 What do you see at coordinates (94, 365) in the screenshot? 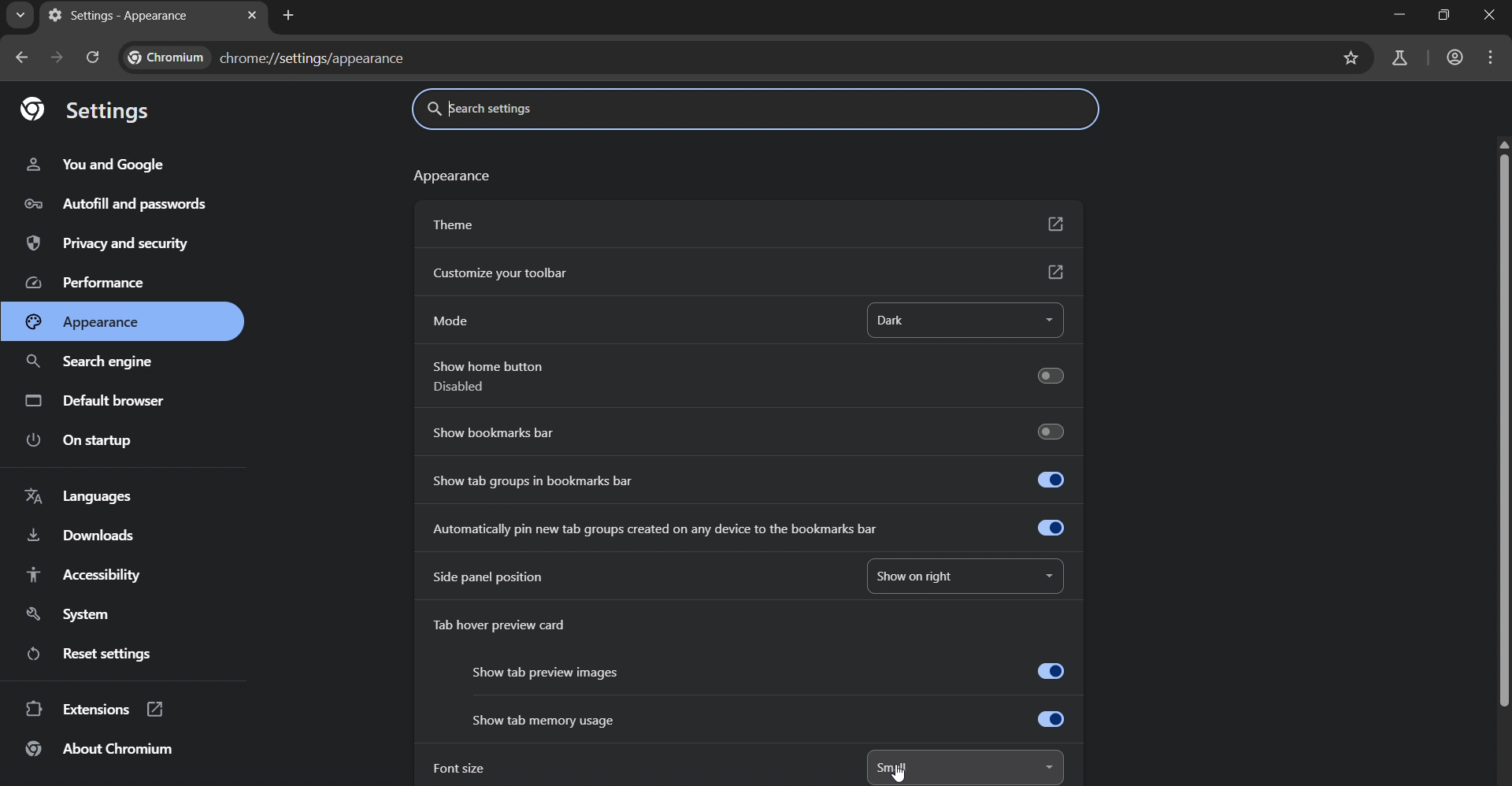
I see `search engine` at bounding box center [94, 365].